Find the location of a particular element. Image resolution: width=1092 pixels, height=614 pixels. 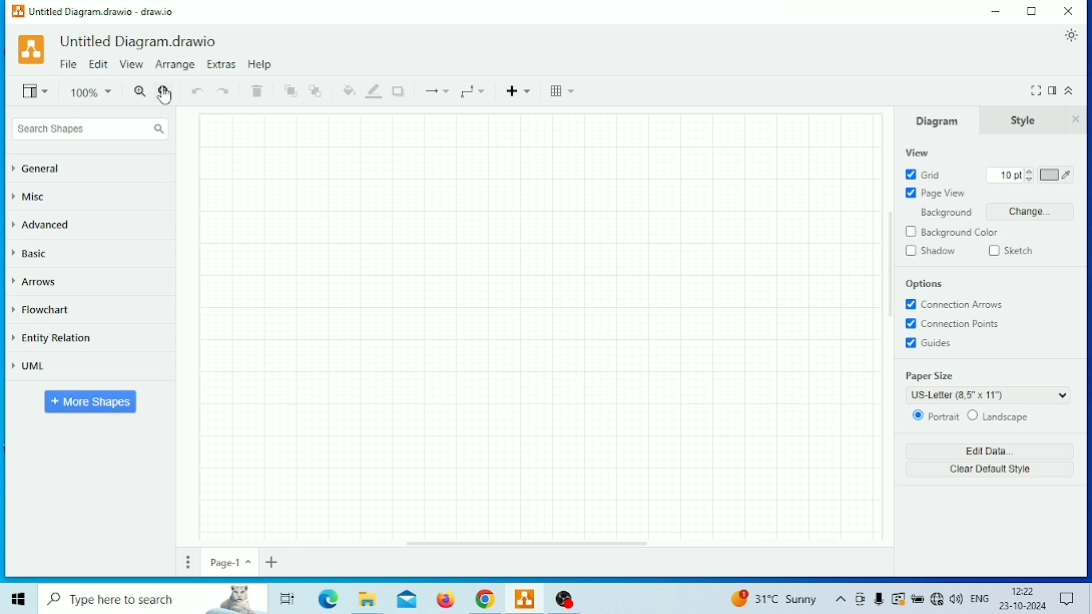

Grid color is located at coordinates (1057, 175).